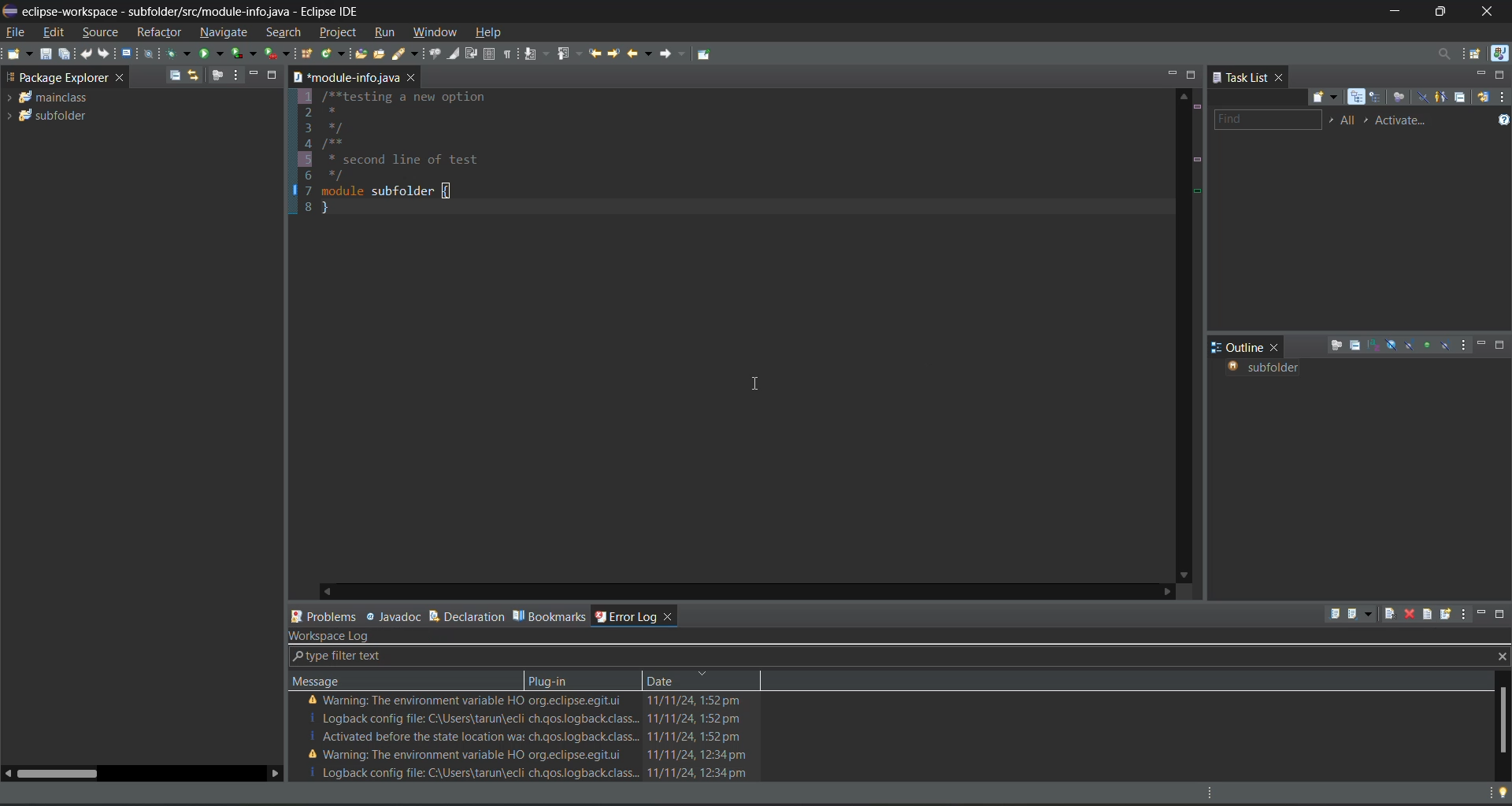 This screenshot has width=1512, height=806. What do you see at coordinates (341, 681) in the screenshot?
I see `message` at bounding box center [341, 681].